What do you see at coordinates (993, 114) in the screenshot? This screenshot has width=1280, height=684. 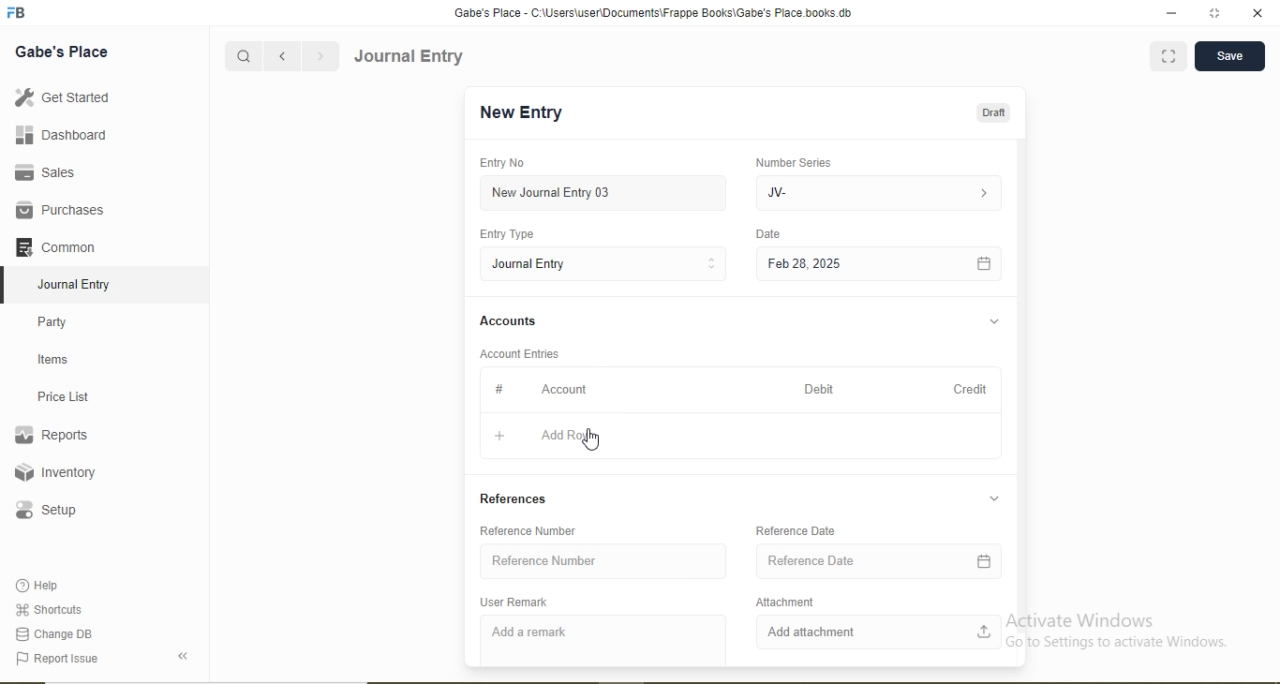 I see `Draft` at bounding box center [993, 114].